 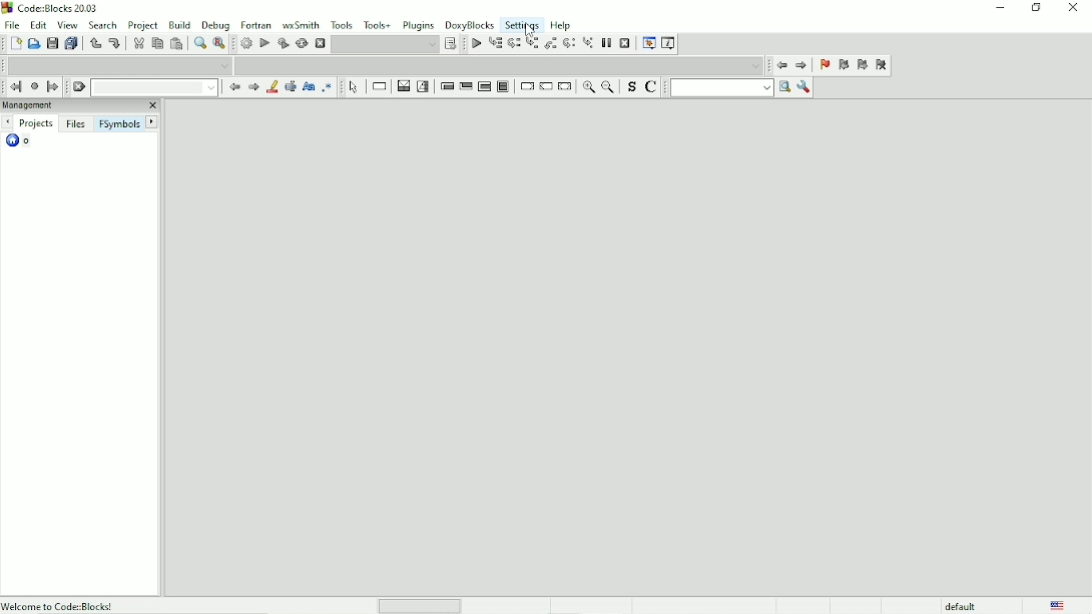 I want to click on Drop down, so click(x=498, y=66).